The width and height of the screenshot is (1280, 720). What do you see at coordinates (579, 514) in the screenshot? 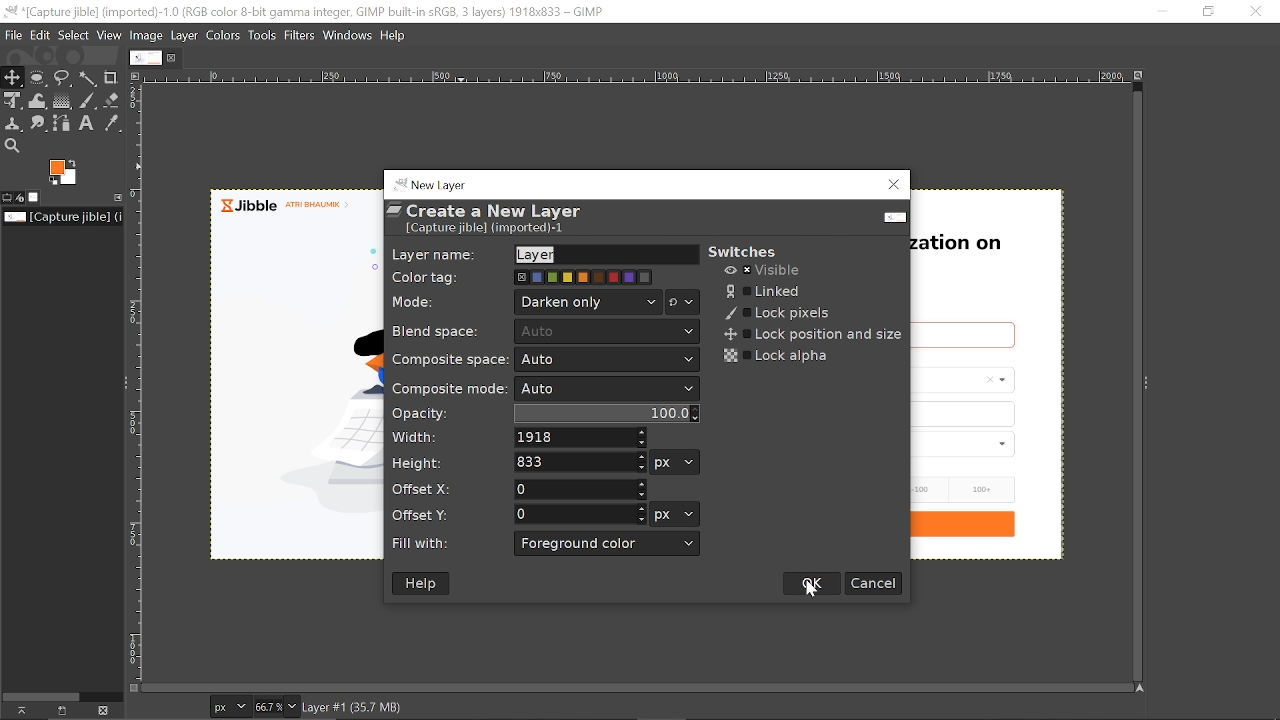
I see `Offset Y` at bounding box center [579, 514].